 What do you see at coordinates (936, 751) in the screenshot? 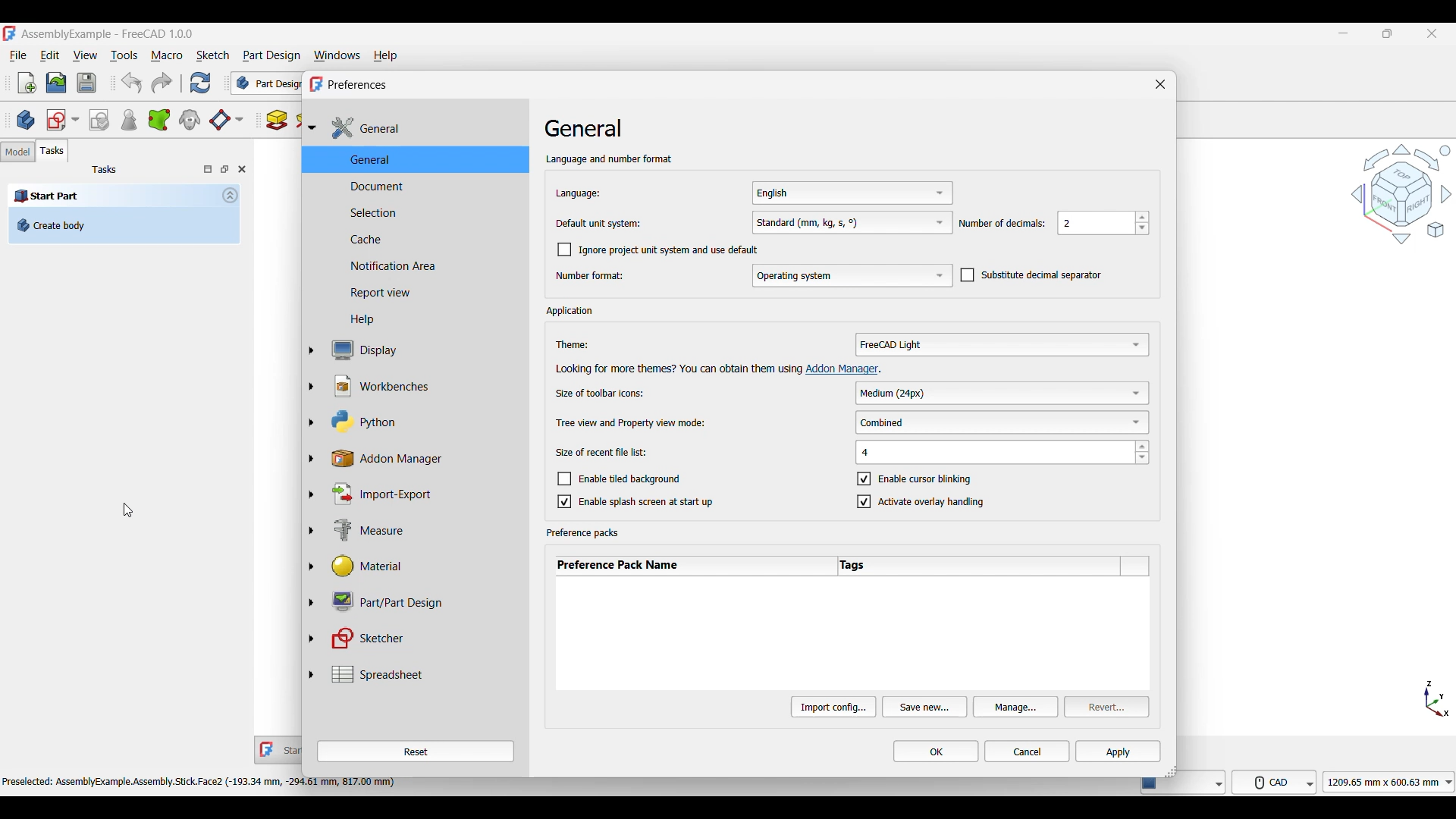
I see `OK` at bounding box center [936, 751].